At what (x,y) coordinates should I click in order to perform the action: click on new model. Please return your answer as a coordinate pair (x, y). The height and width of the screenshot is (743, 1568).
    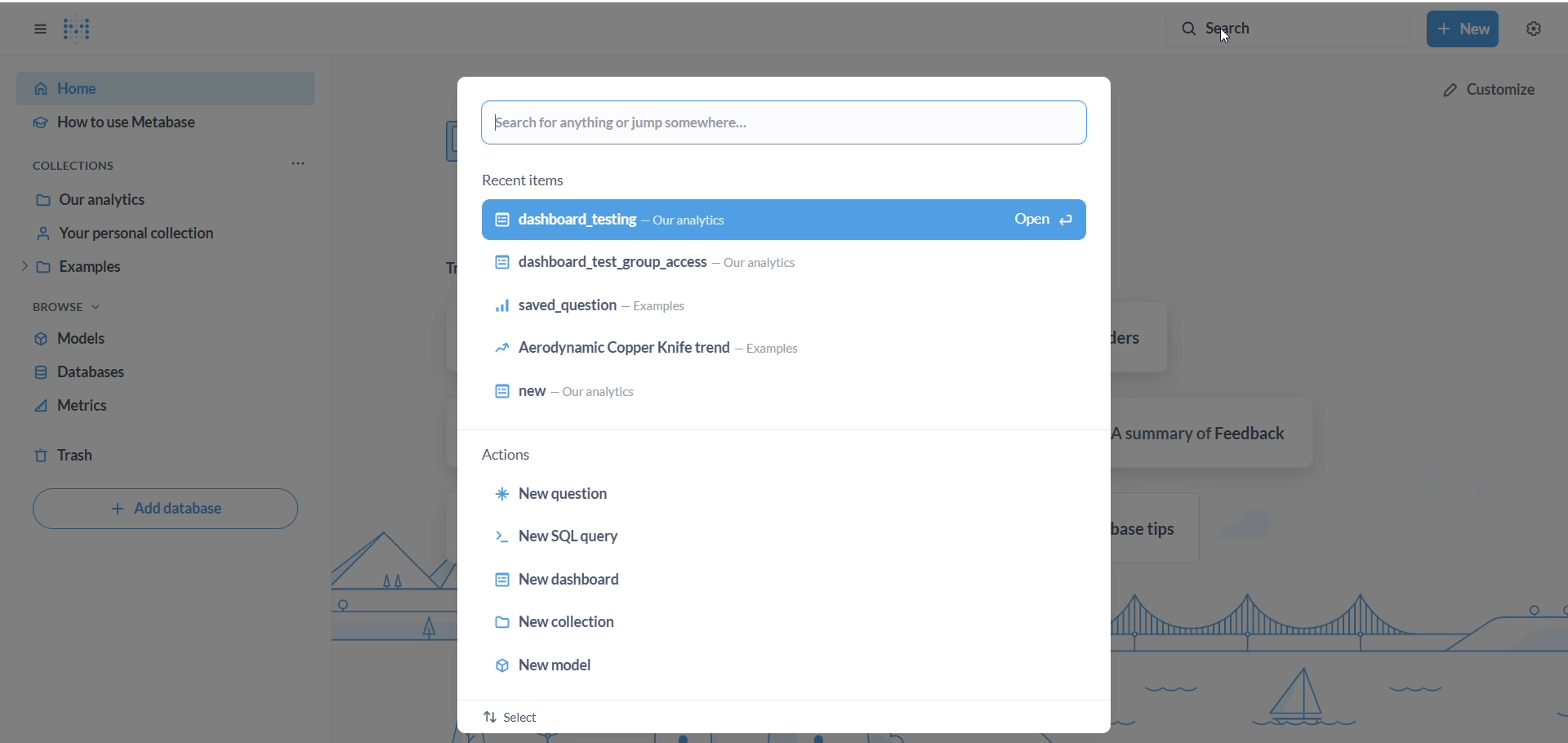
    Looking at the image, I should click on (753, 669).